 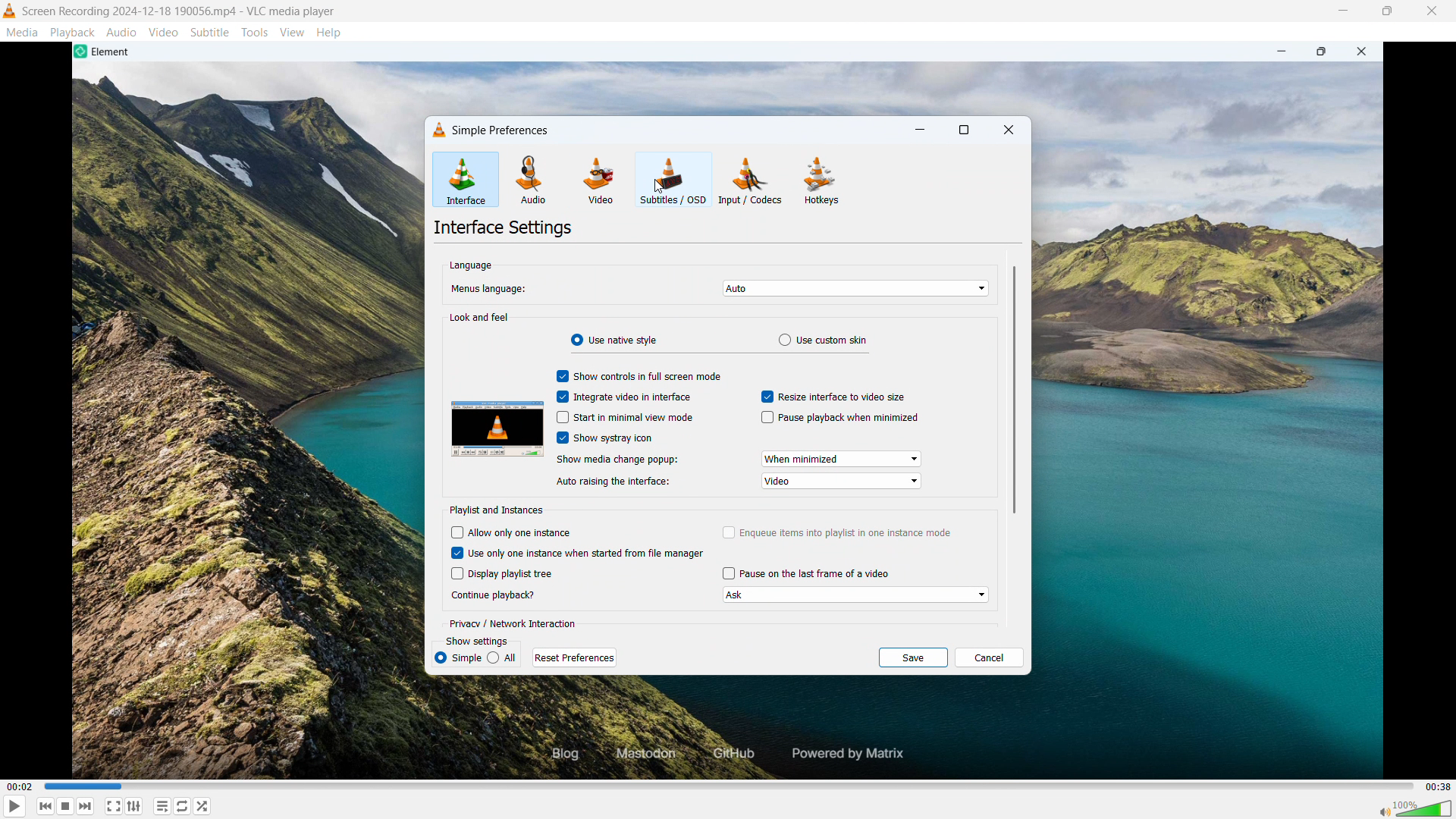 What do you see at coordinates (767, 397) in the screenshot?
I see `checkbox` at bounding box center [767, 397].